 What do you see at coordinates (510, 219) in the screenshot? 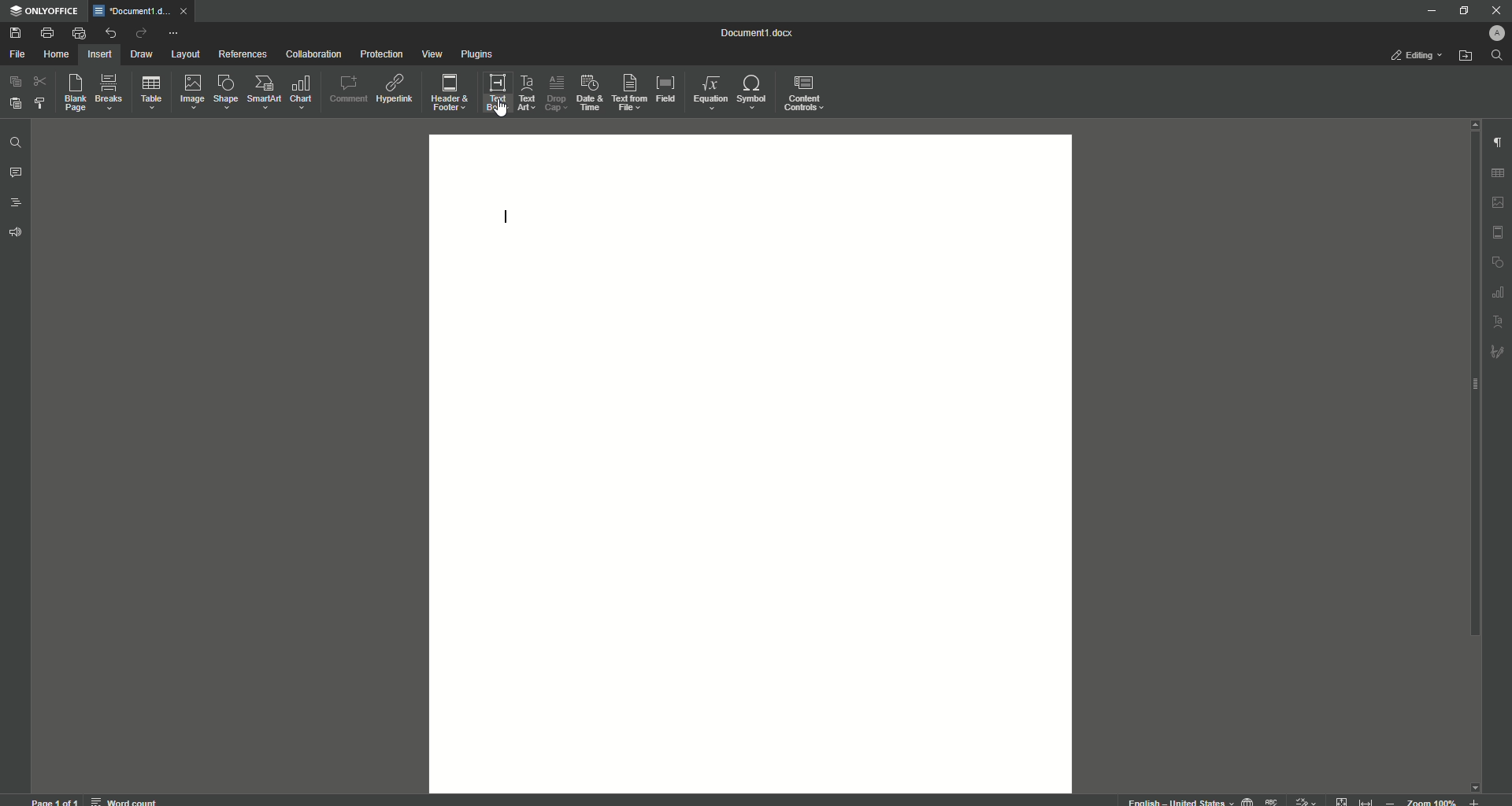
I see `Text Line` at bounding box center [510, 219].